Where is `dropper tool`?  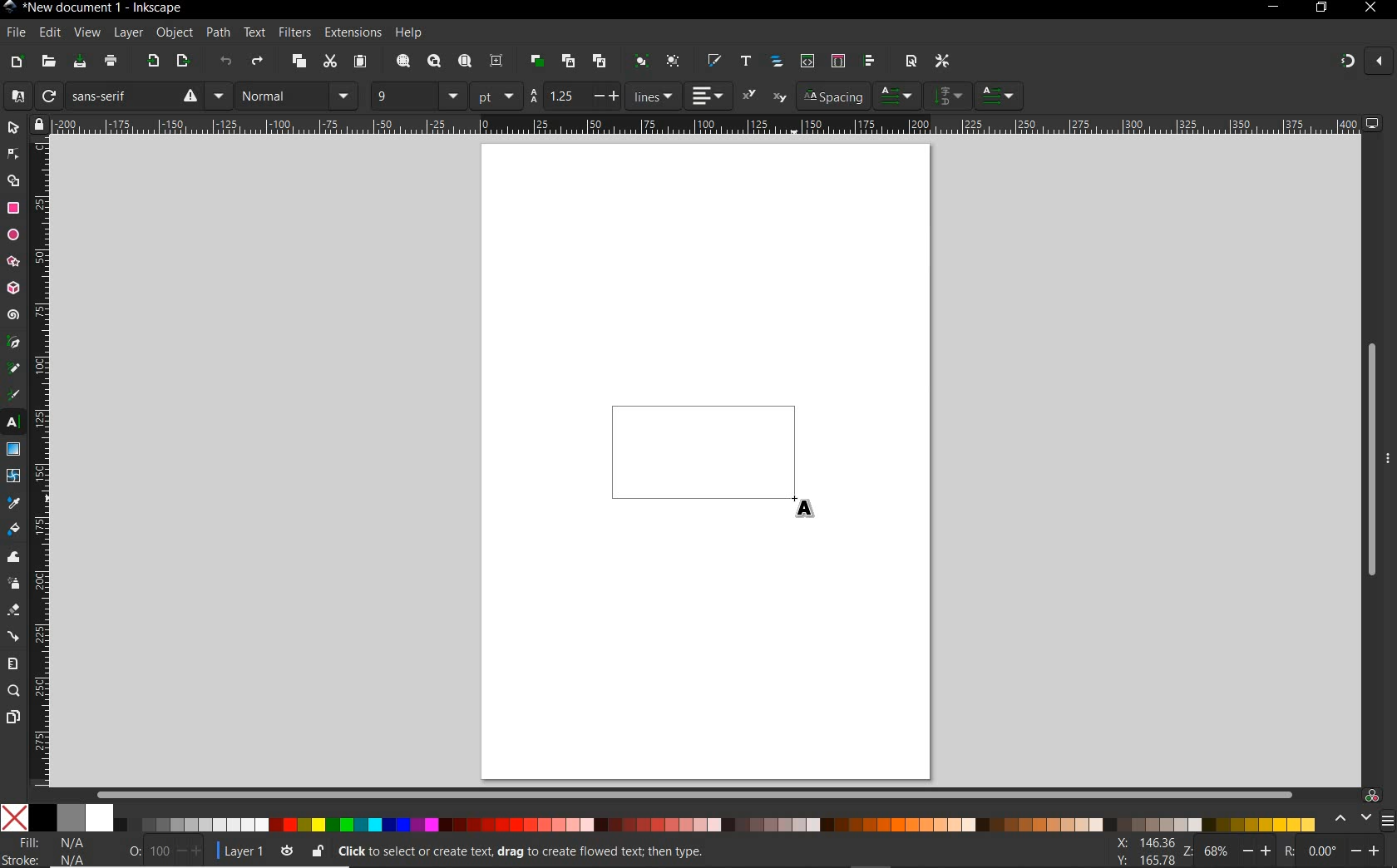
dropper tool is located at coordinates (14, 504).